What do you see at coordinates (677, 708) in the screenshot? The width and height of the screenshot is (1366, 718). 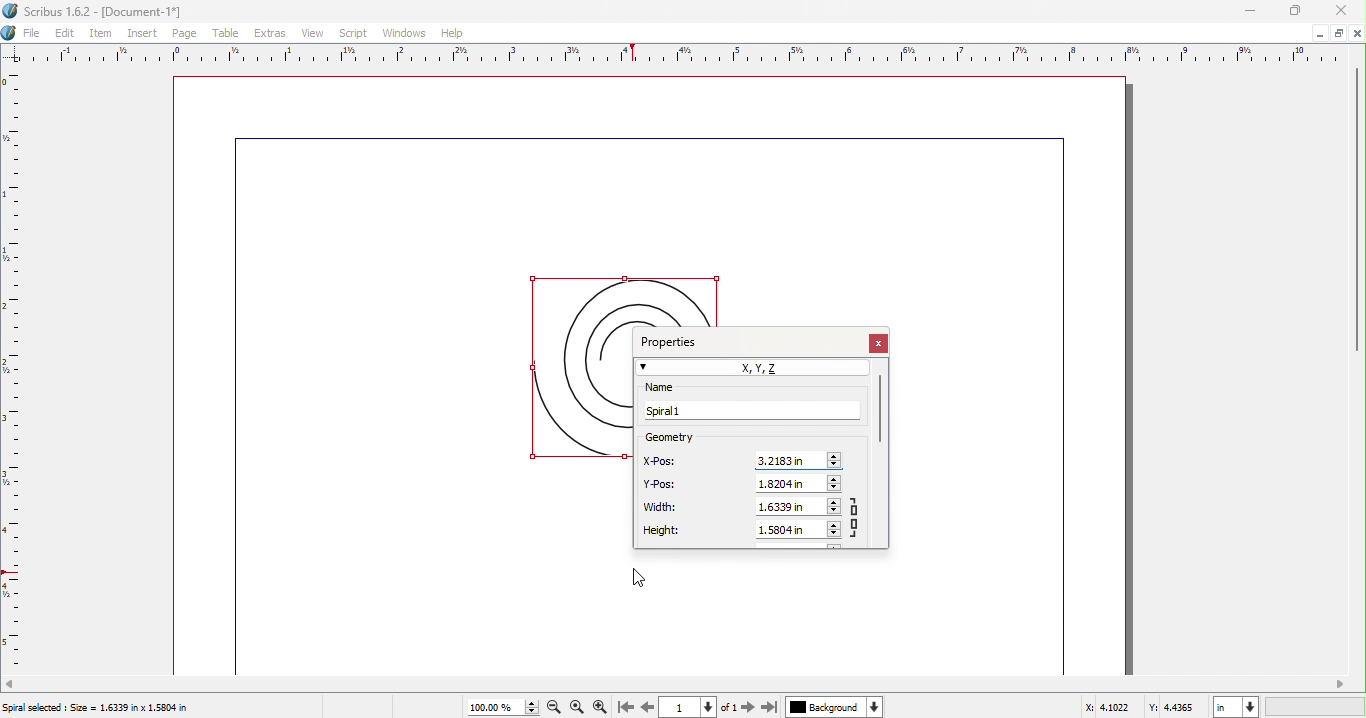 I see `current page` at bounding box center [677, 708].